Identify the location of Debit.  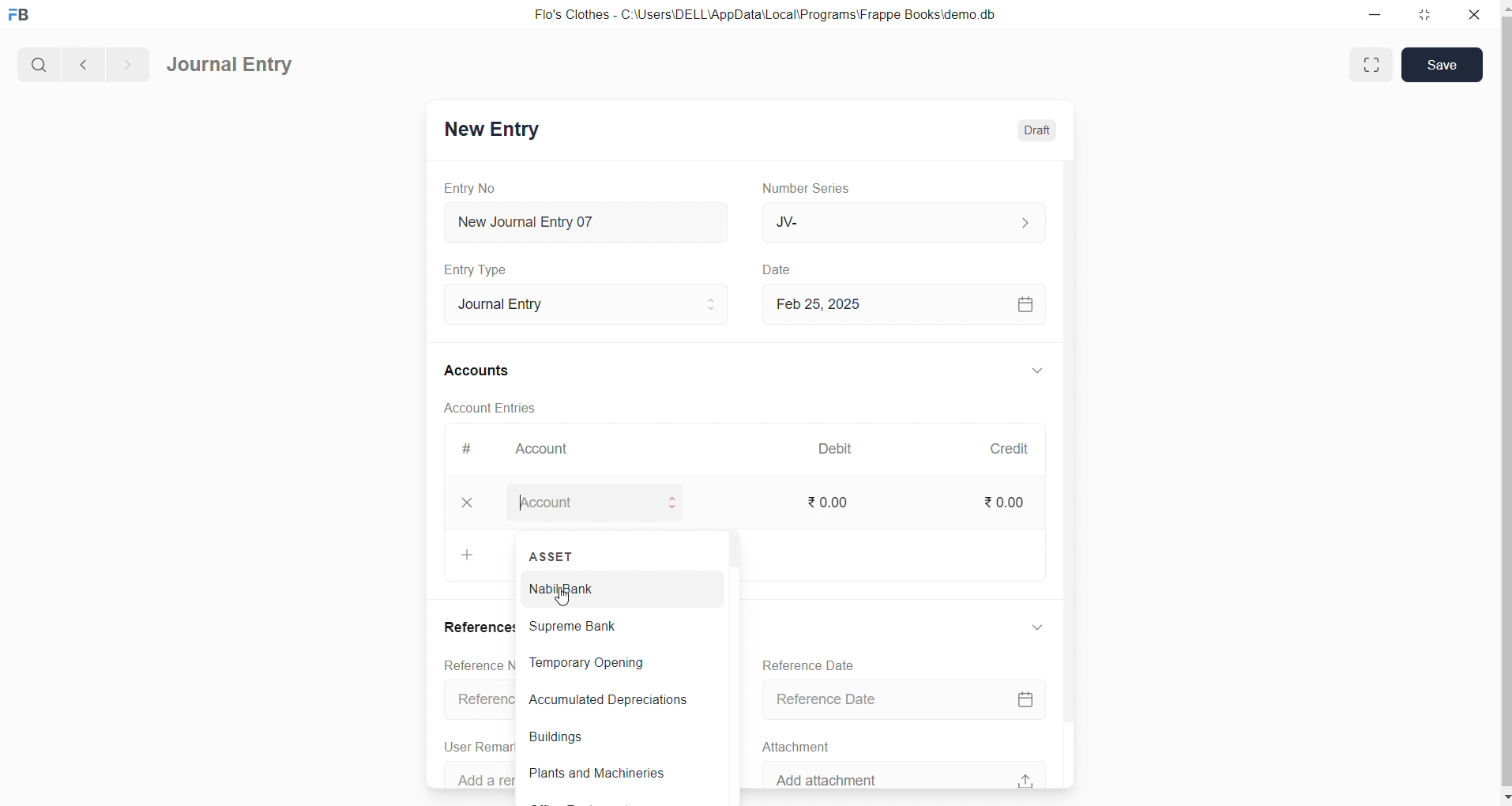
(844, 447).